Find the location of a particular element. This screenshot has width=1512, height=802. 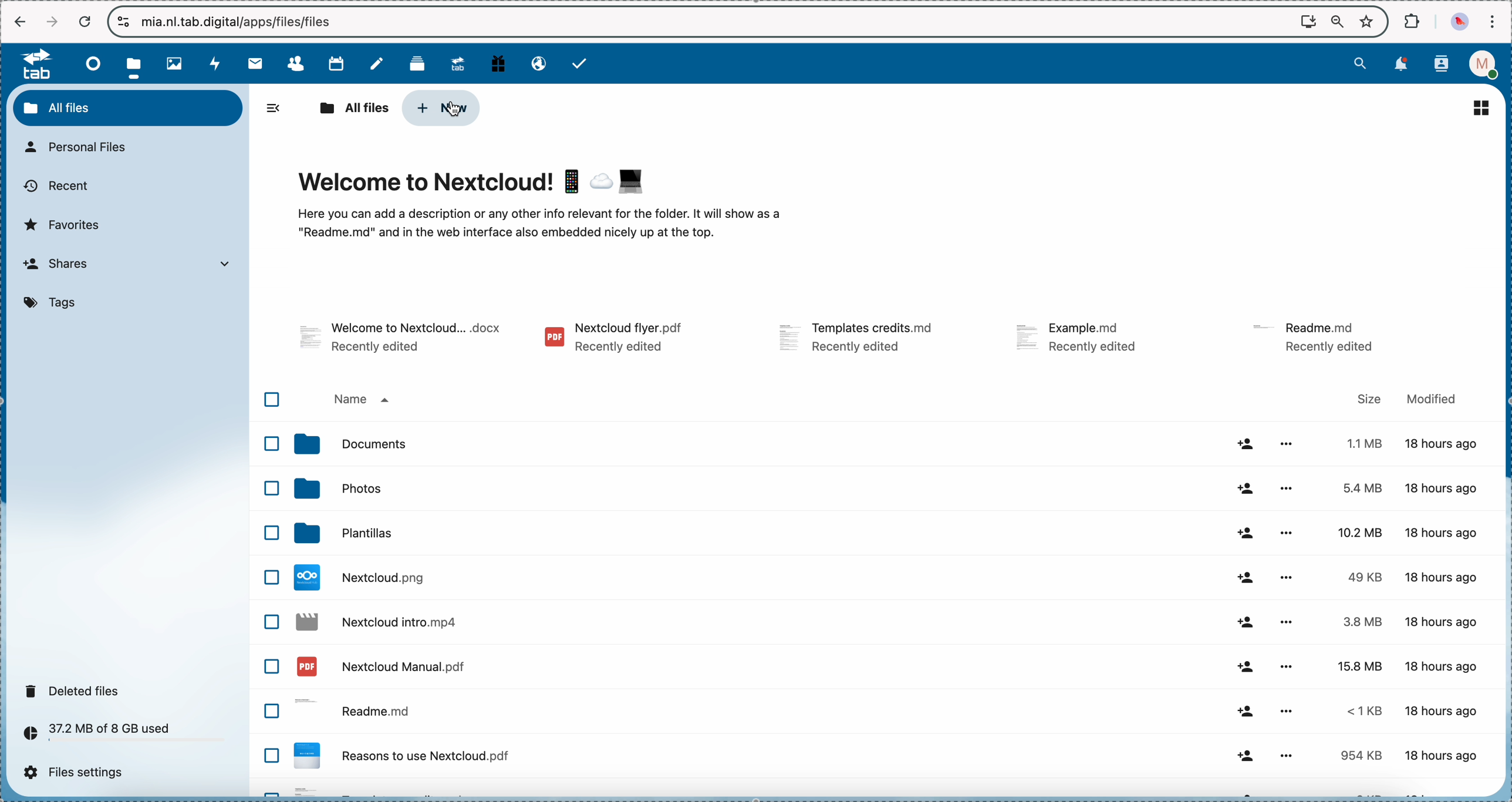

file is located at coordinates (864, 338).